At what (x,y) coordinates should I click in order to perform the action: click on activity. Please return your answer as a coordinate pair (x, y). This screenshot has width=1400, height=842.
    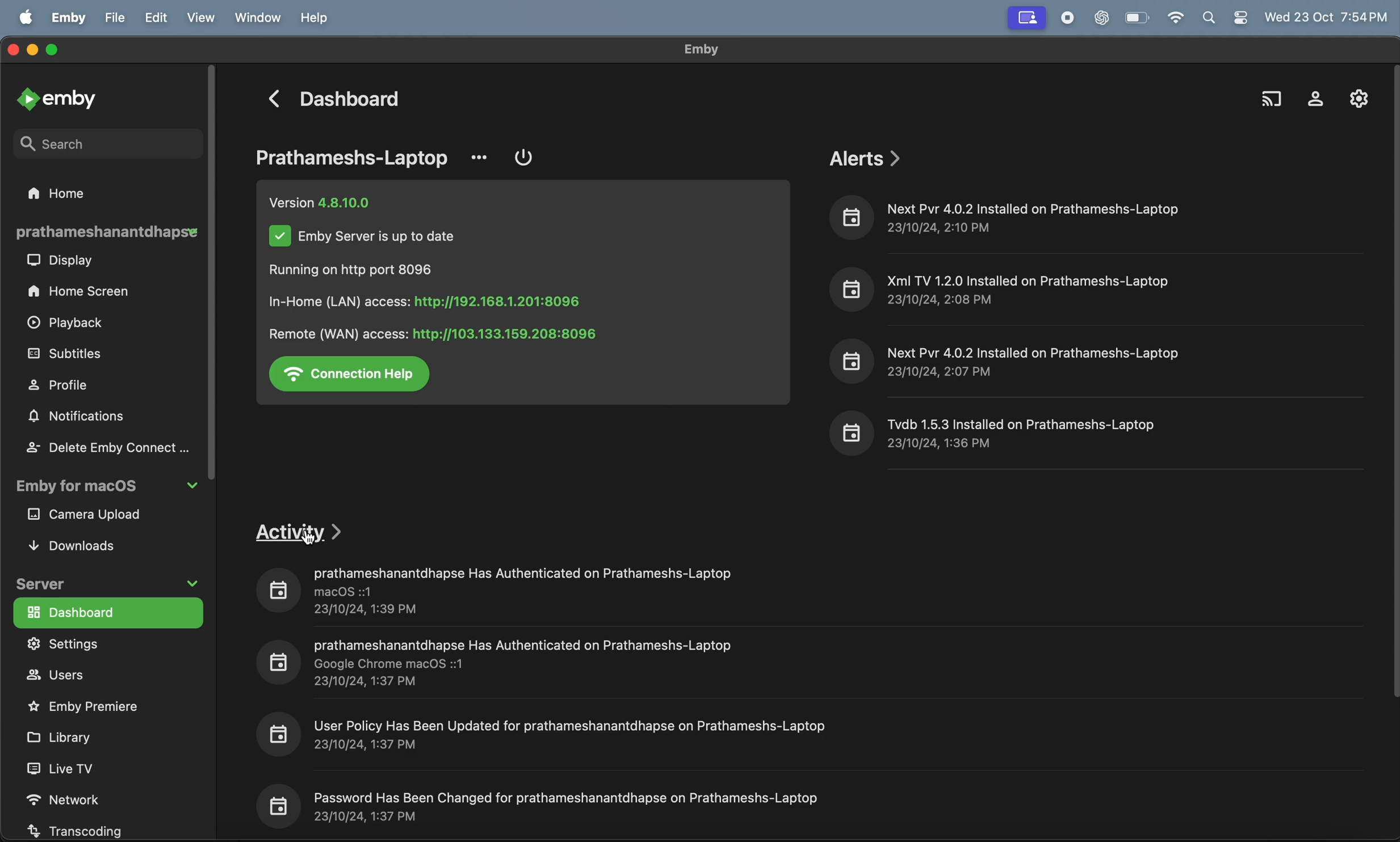
    Looking at the image, I should click on (303, 530).